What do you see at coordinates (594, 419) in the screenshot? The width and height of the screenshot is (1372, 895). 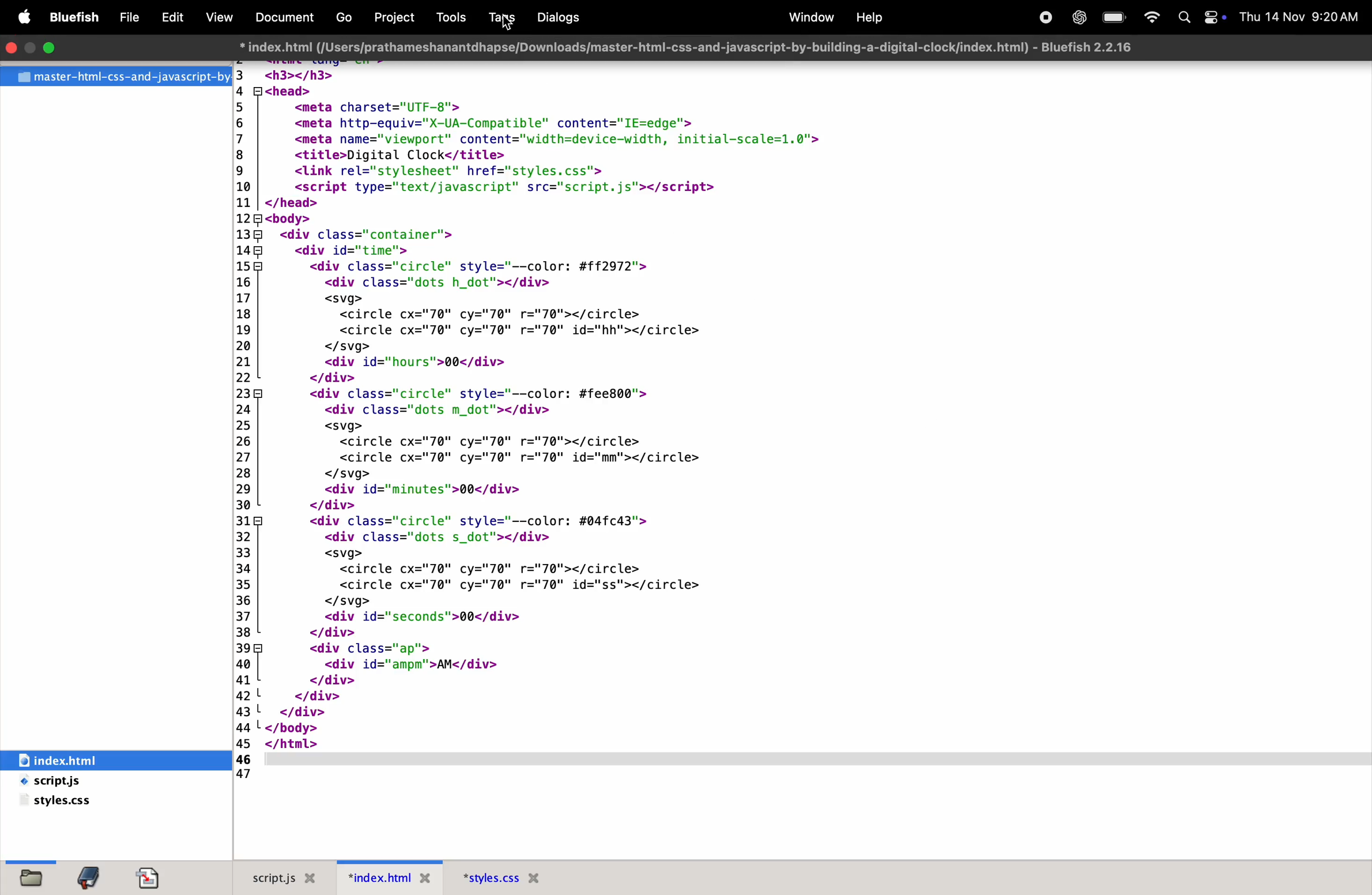 I see `<h3></h3>
<head>

<meta charset="UTF-8">
<meta http-equiv="X-UA-Compatible" content="IE=edge">
<meta name="viewport" content="width=device-width, initial-scale=1.0">
<title>Digital Clock</title>
<link rel="stylesheet" href="styles.css">

/] <script type="text/javascript" src="script.js"></script>

1 | </head>

2 <body>

38 <div class="container">

4H <div id="time">

5 <div class="circle" style="--color: #ff2972">

6 <div class="dots h_dot"></div>

7 <svg>

8 <circle cx="70" cy="70" r="70"></circle>

9 <circle cx="70" cy="70" r="70" id="hh"></circle>

] </svg>

1 <div id="hours">00</div>

2 </div>

3 <div class="circle" style="--color: #fee800">

4 <div class="dots m_dot"></div>

5 <svg>

6 <circle cx="70" cy="70" r="70"></circle>

7 <circle cx="70" cy="70" r="70" id="mm'></circle>

8 </svg>

9 <div id="minutes">00</div>

0 </div>

1 <div class="circle" style="--color: #04fc43">

2 <div class="dots s_dot"></div>

3 <svg>

4 <circle cx="70" cy="70" r="70"></circle>

5 <circle cx="70" cy="70" r="70" id="ss'></circle>

6 </svg>

7 <div id="seconds">00</div>

8 </div>

9 <div class="ap">

o] <div id="ampm">AM</div>

1 </div>

2L </div>

3L </div>

4 L </body>

5 </html>

6

yy` at bounding box center [594, 419].